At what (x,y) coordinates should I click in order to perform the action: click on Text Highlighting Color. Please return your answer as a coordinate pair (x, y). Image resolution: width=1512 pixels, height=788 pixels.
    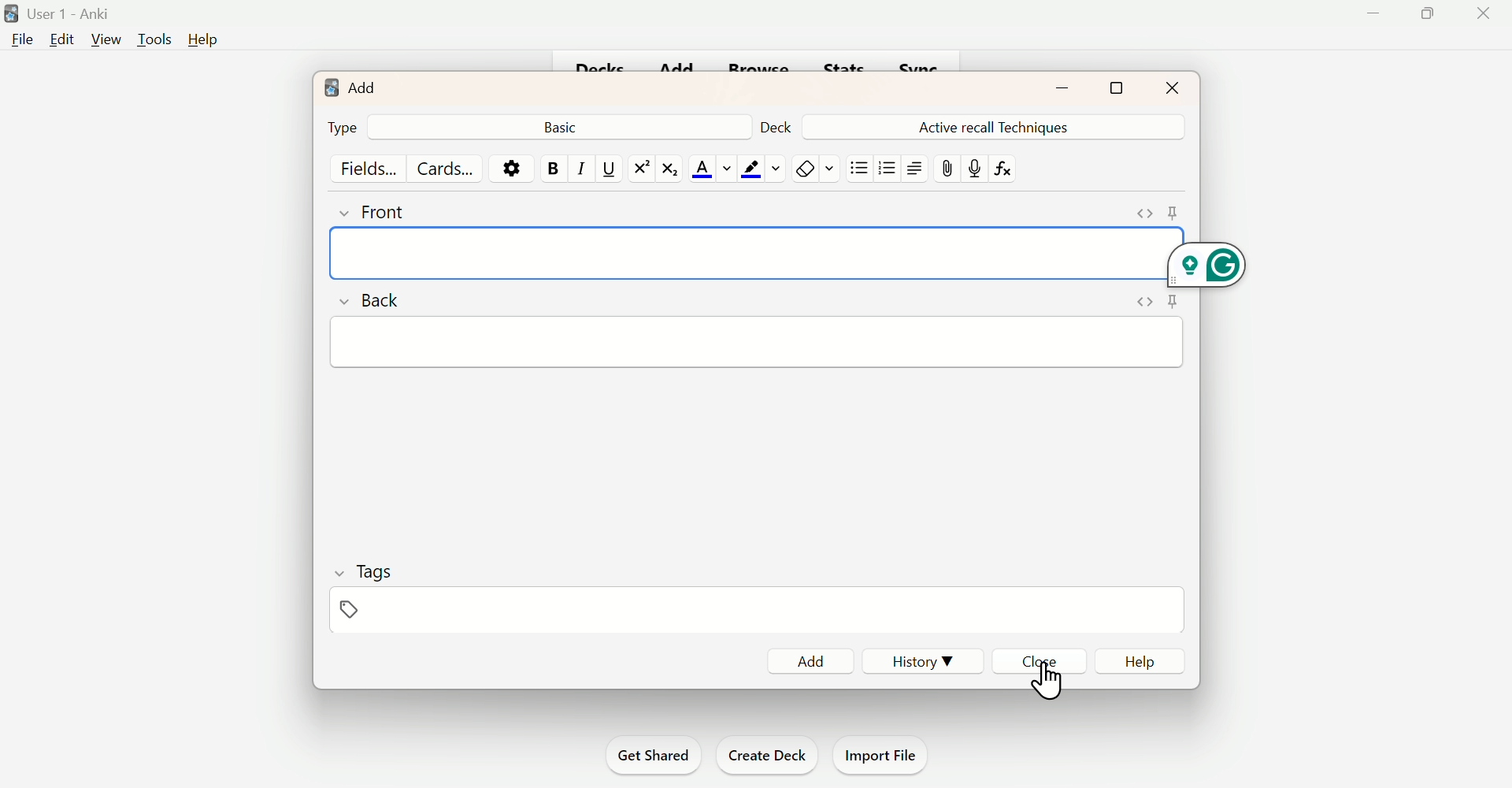
    Looking at the image, I should click on (759, 167).